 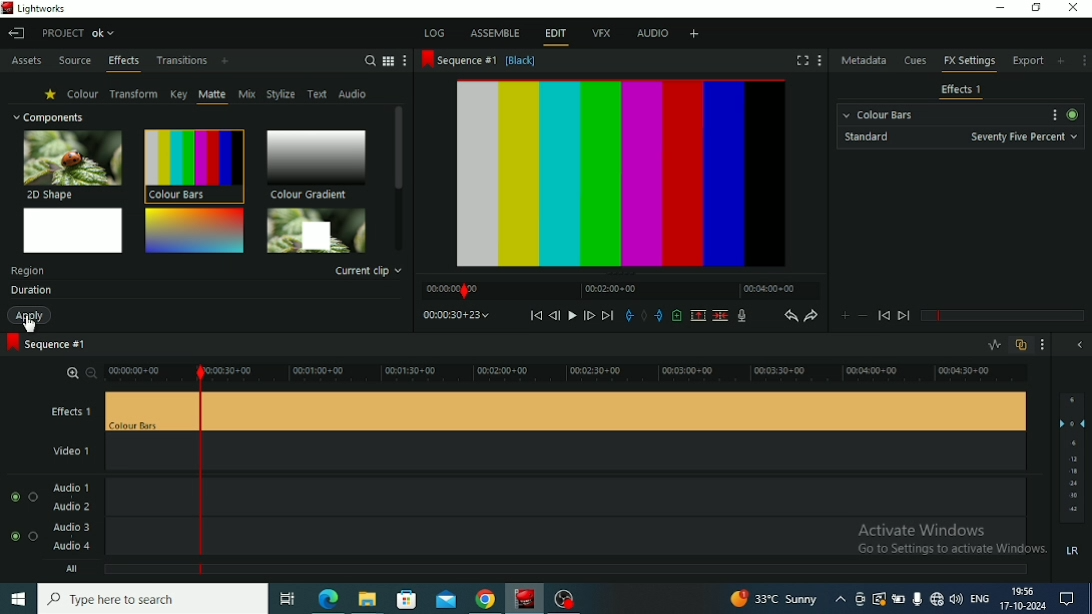 What do you see at coordinates (1030, 63) in the screenshot?
I see `Export` at bounding box center [1030, 63].